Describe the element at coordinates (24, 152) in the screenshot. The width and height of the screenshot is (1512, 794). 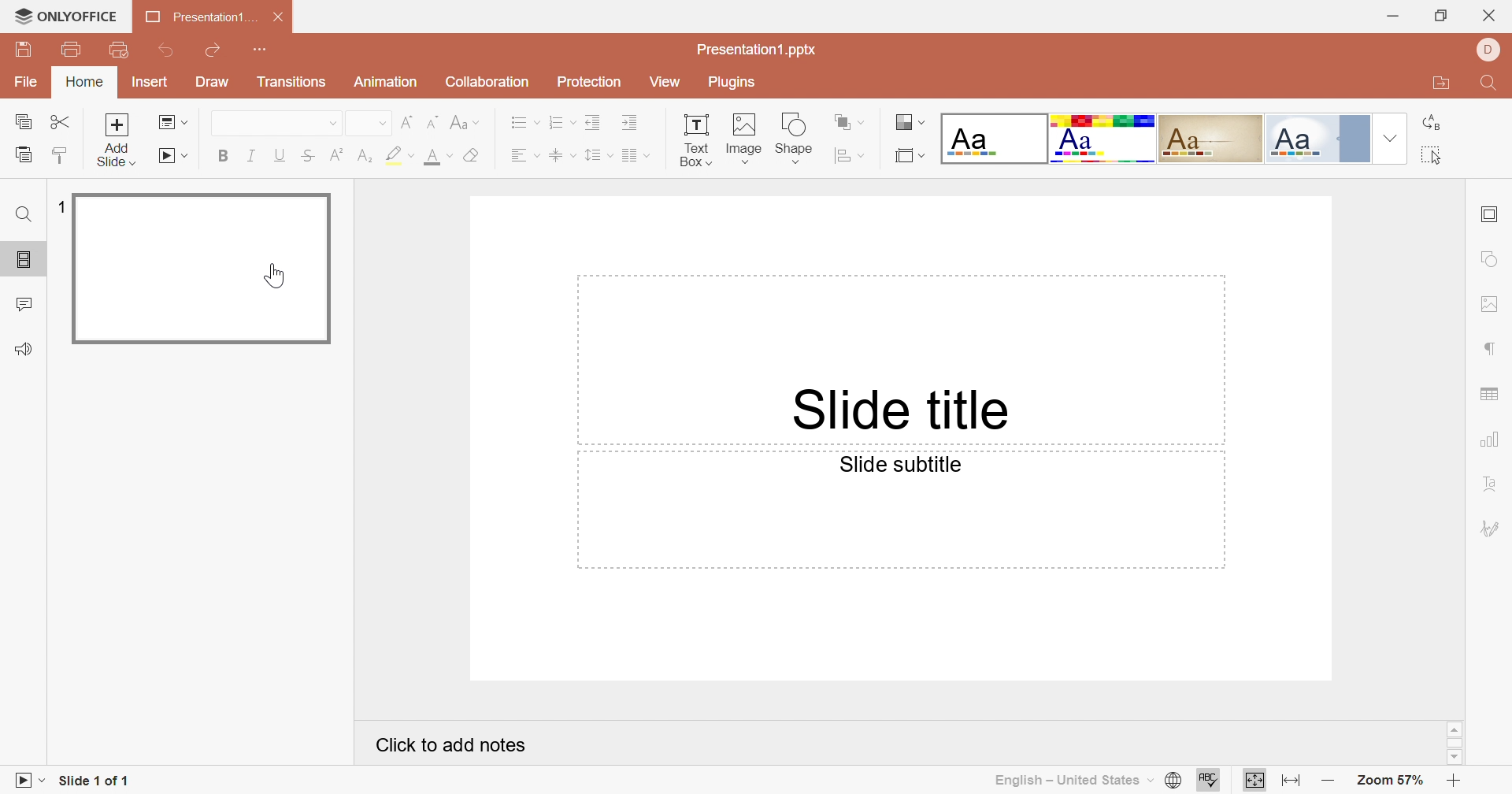
I see `Paste` at that location.